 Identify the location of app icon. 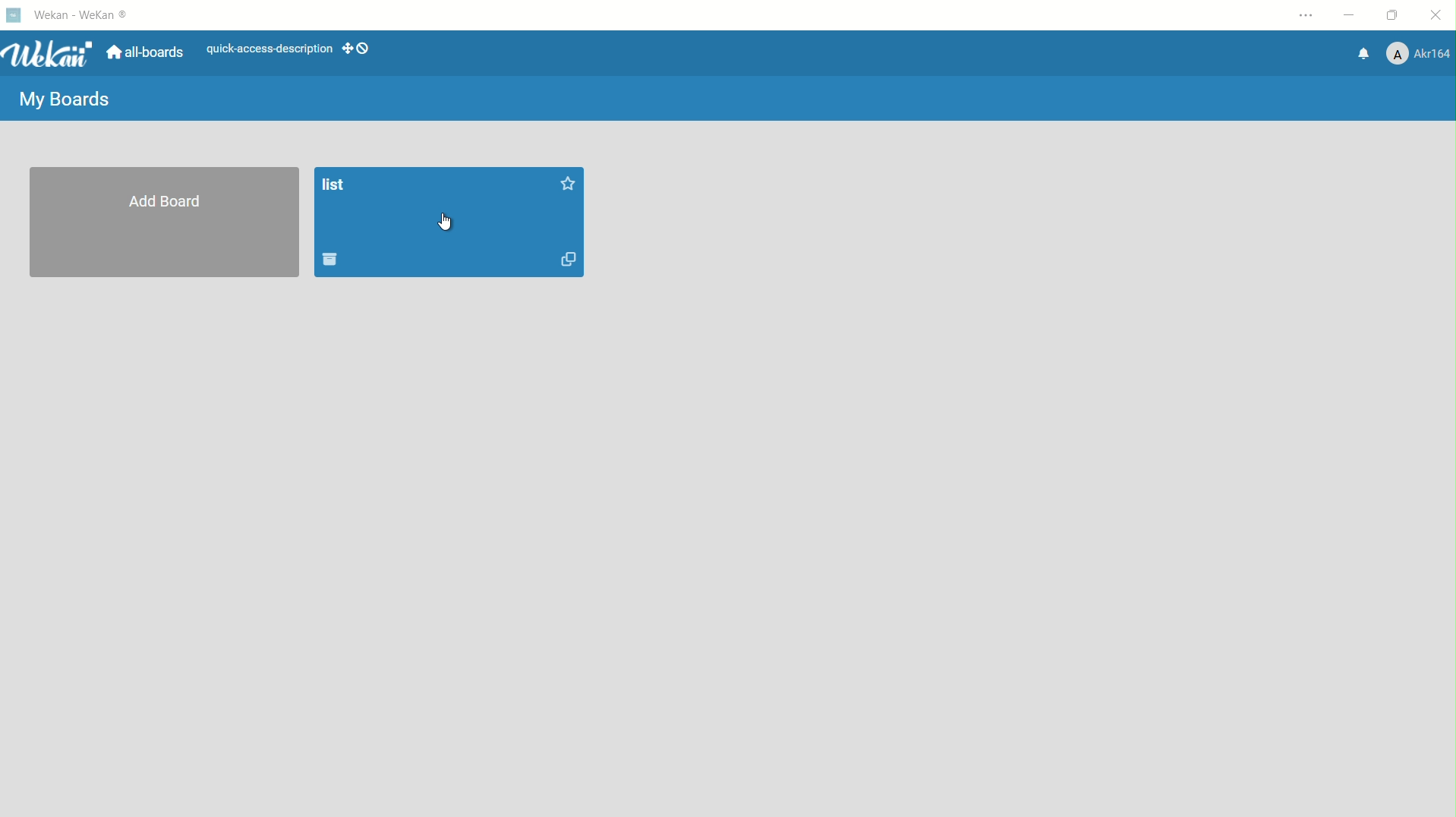
(15, 14).